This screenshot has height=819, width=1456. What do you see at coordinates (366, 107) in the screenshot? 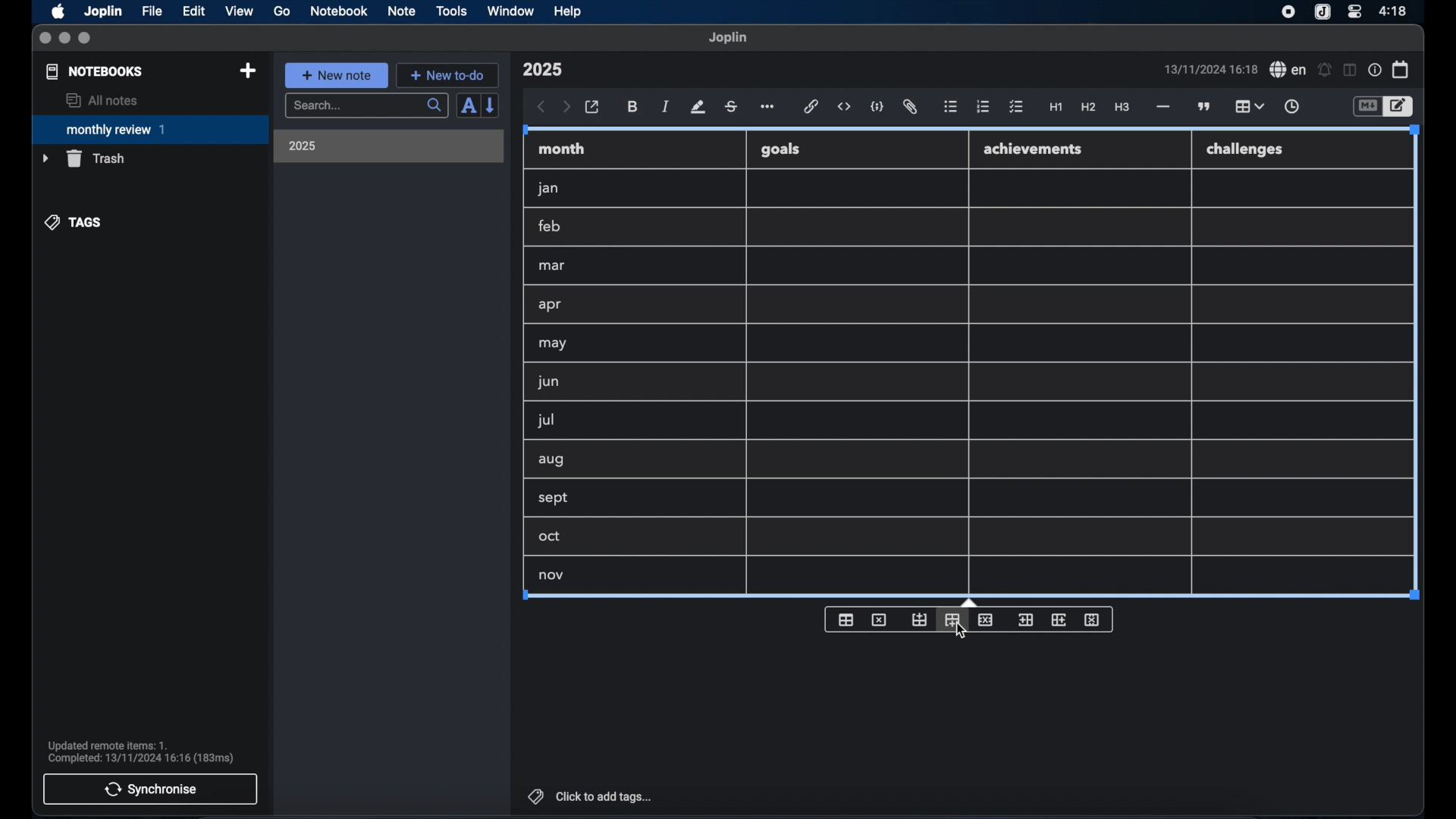
I see `search bar` at bounding box center [366, 107].